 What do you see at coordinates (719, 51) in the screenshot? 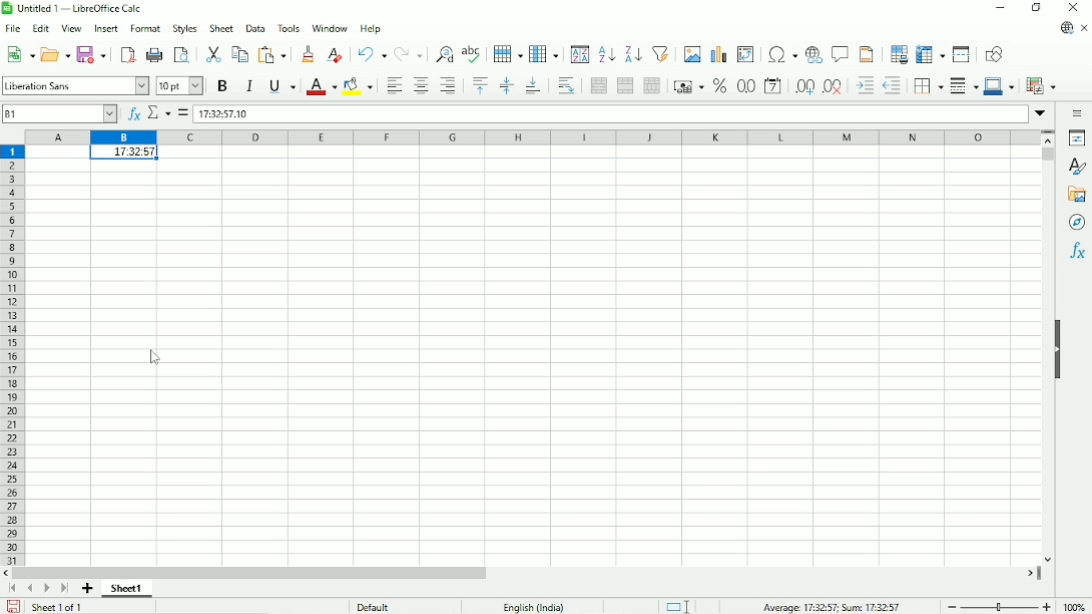
I see `Insert chart` at bounding box center [719, 51].